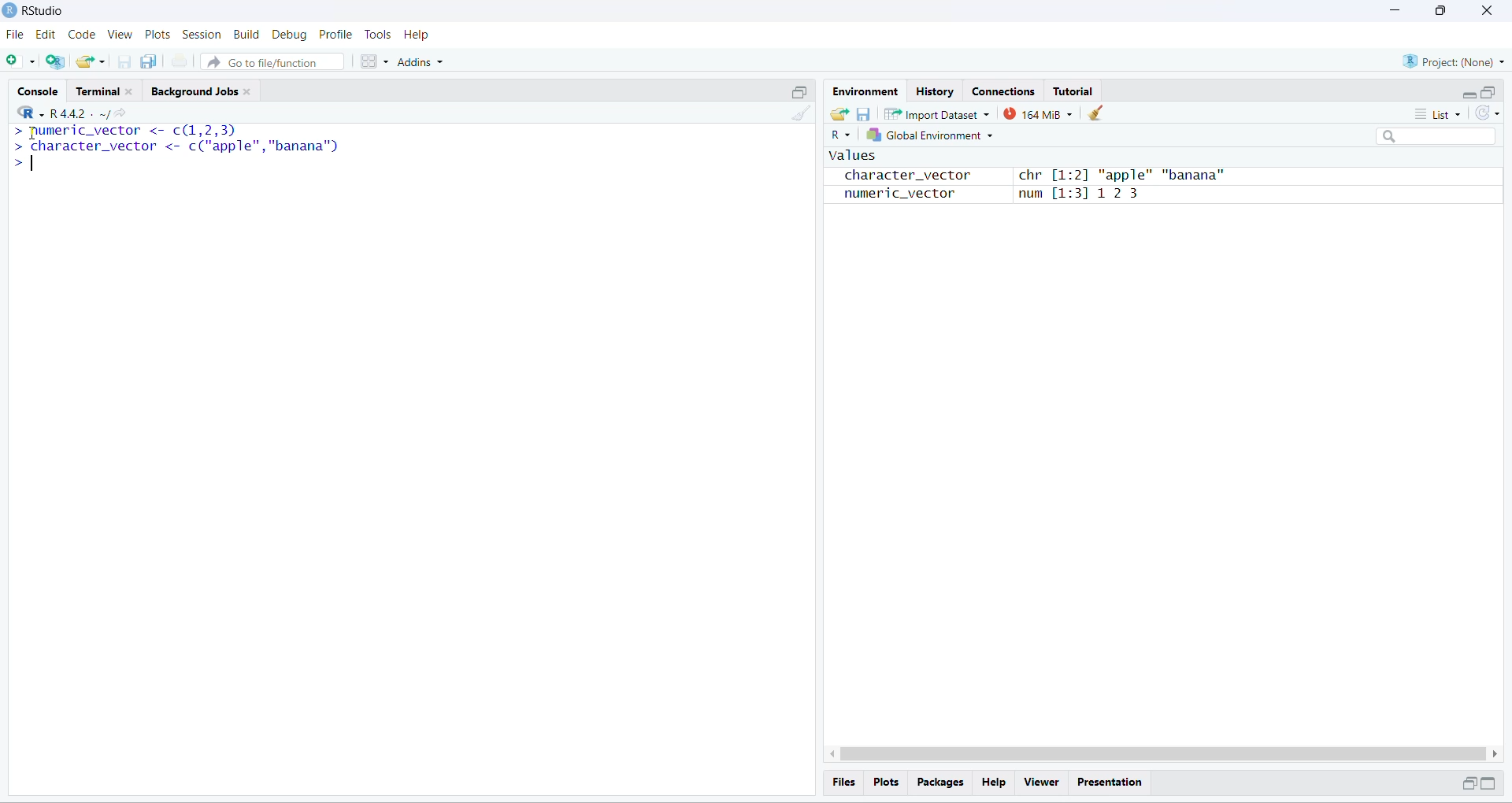 This screenshot has width=1512, height=803. Describe the element at coordinates (205, 90) in the screenshot. I see `Background Jobs` at that location.